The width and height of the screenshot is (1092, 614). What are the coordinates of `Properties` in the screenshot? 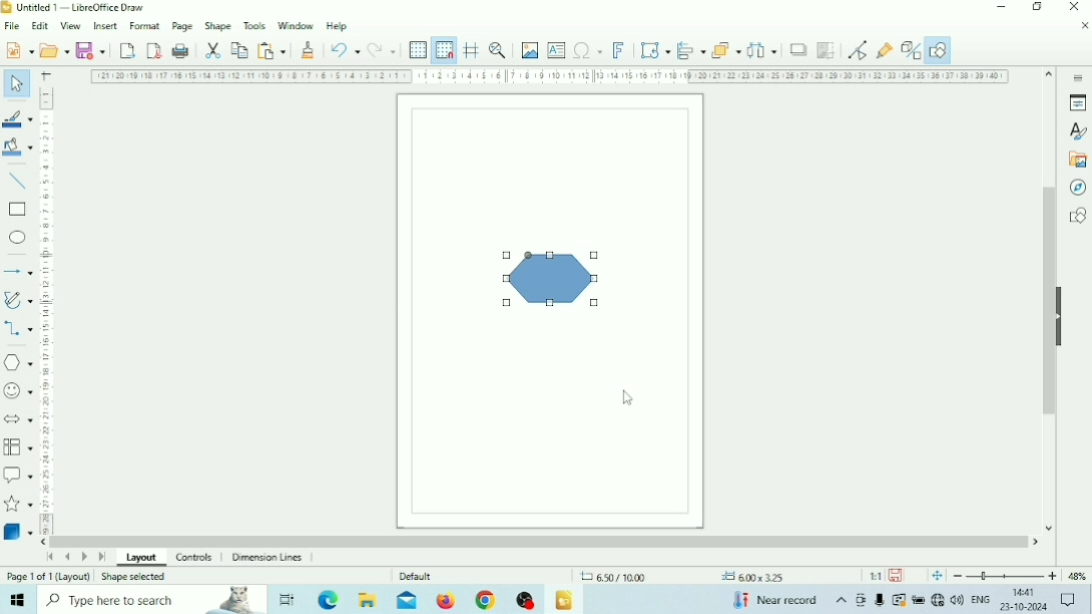 It's located at (1078, 103).